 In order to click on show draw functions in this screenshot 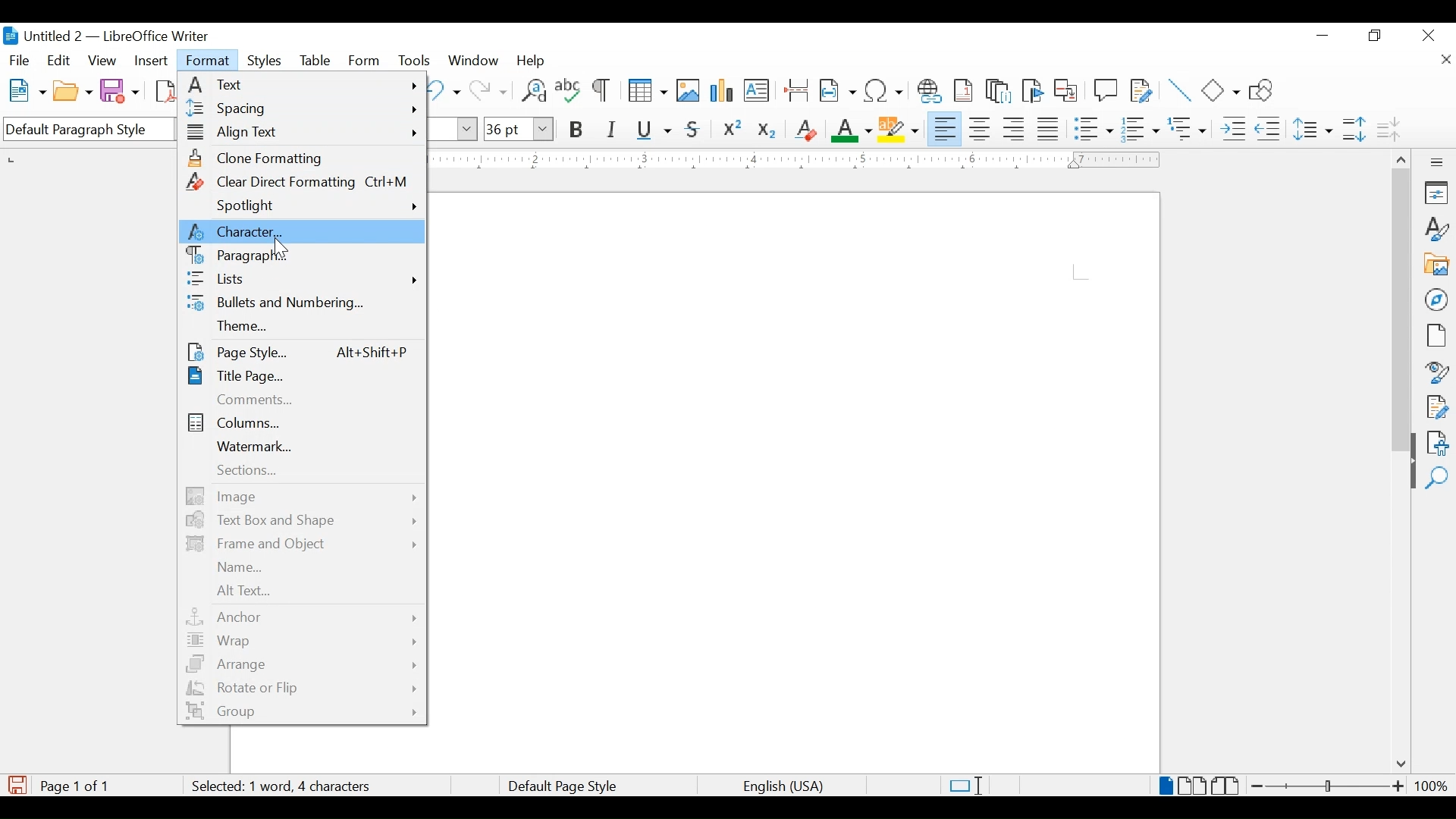, I will do `click(1266, 89)`.